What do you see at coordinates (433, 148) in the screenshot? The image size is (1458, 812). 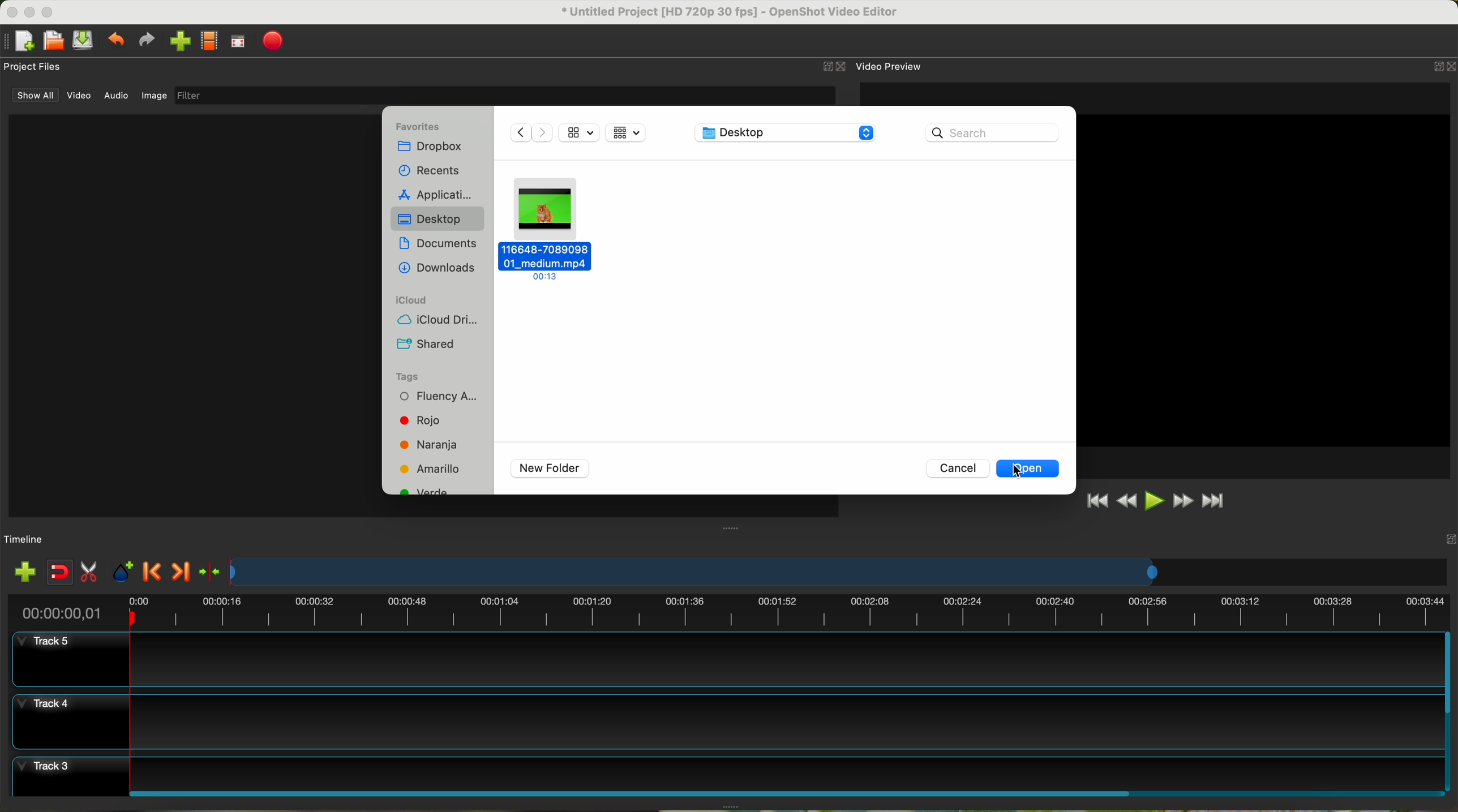 I see `dropbox` at bounding box center [433, 148].